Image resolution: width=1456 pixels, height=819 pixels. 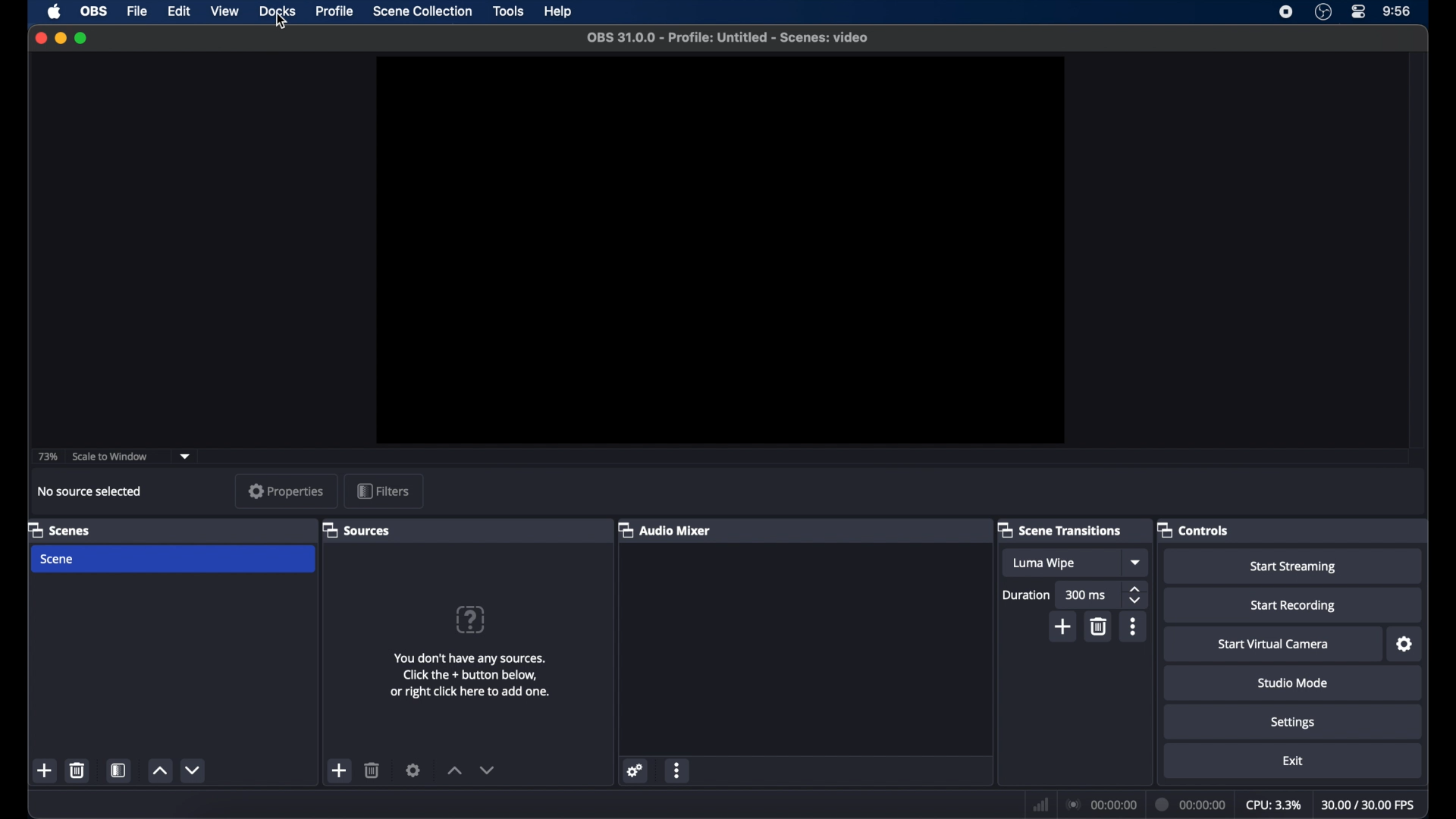 What do you see at coordinates (413, 770) in the screenshot?
I see `settings` at bounding box center [413, 770].